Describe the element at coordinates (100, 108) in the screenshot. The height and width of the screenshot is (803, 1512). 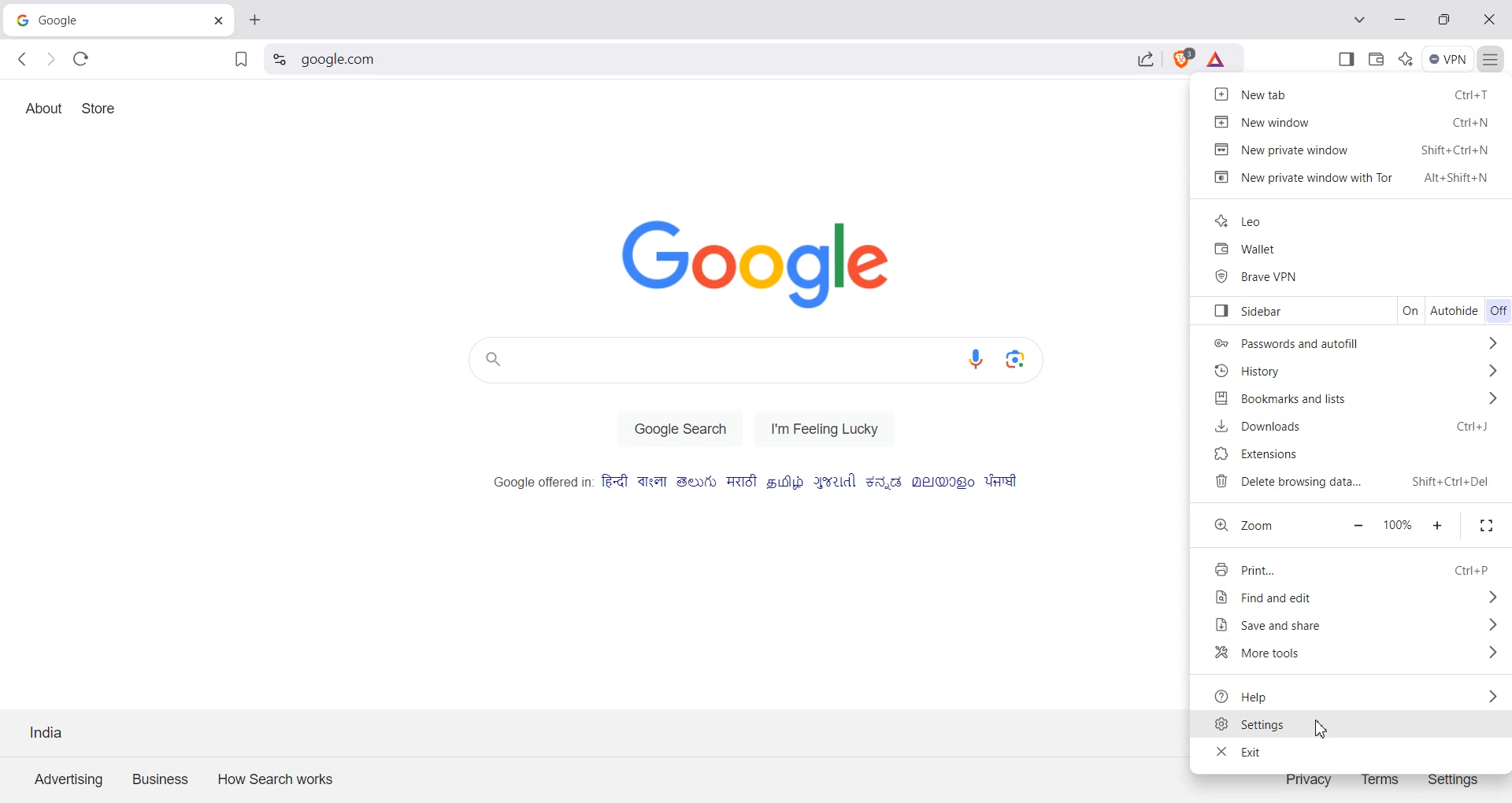
I see `Store` at that location.